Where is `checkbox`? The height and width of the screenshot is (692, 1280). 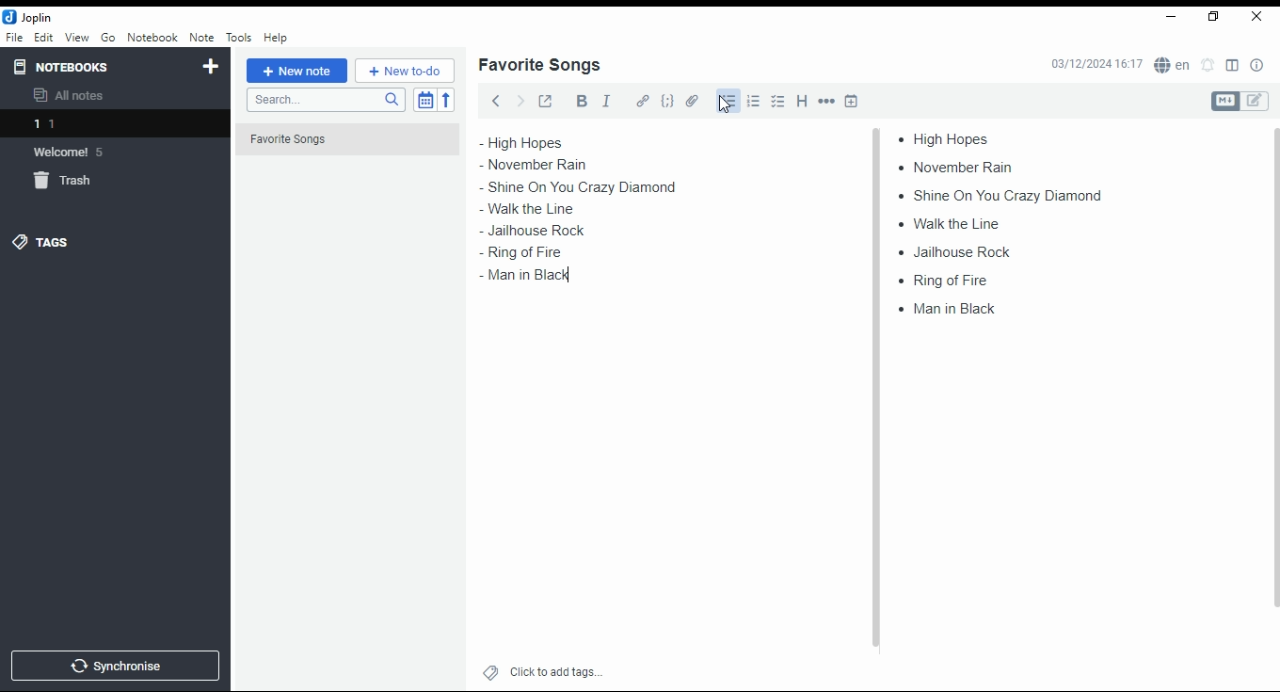
checkbox is located at coordinates (776, 103).